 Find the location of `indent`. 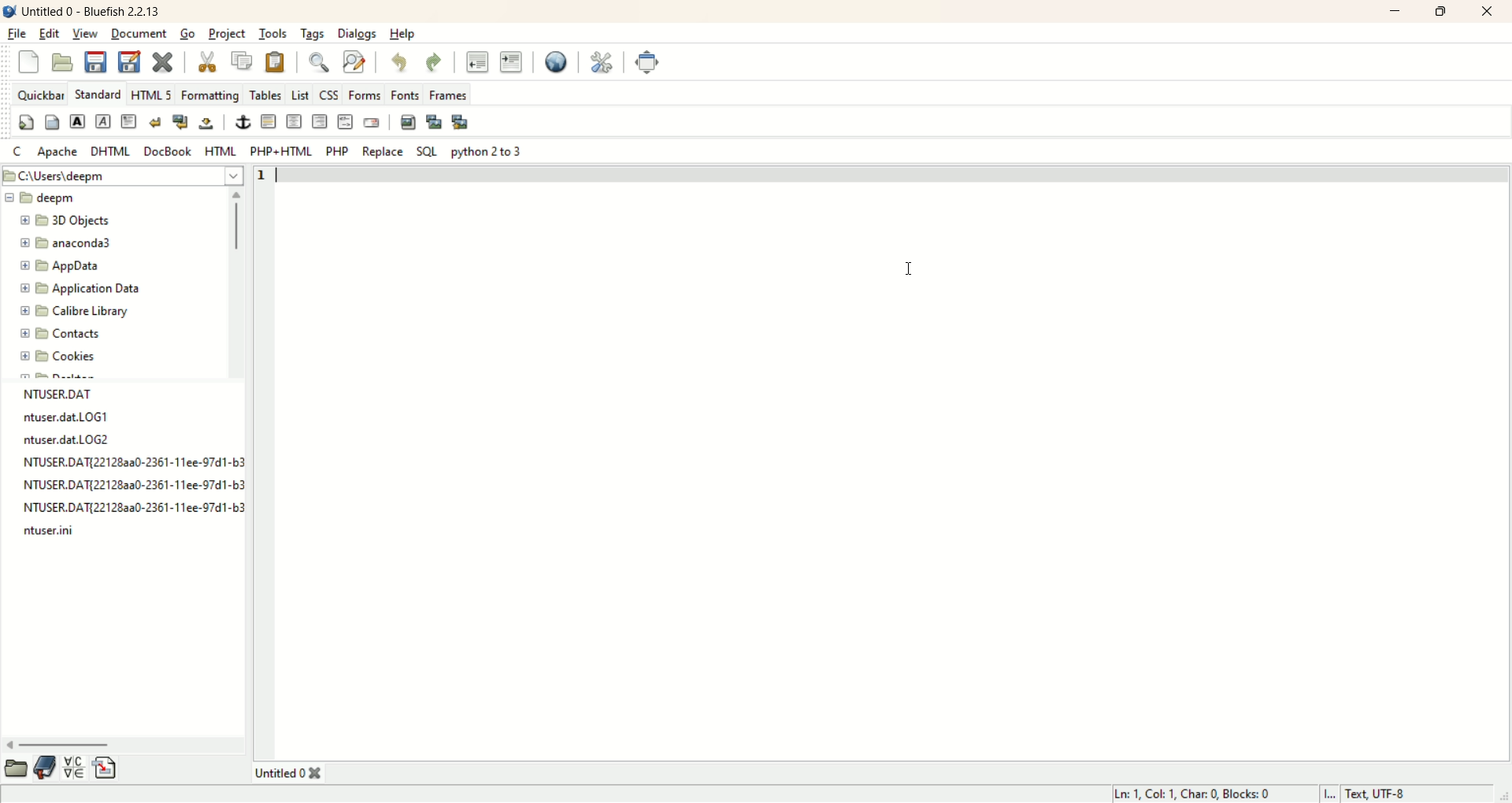

indent is located at coordinates (511, 61).